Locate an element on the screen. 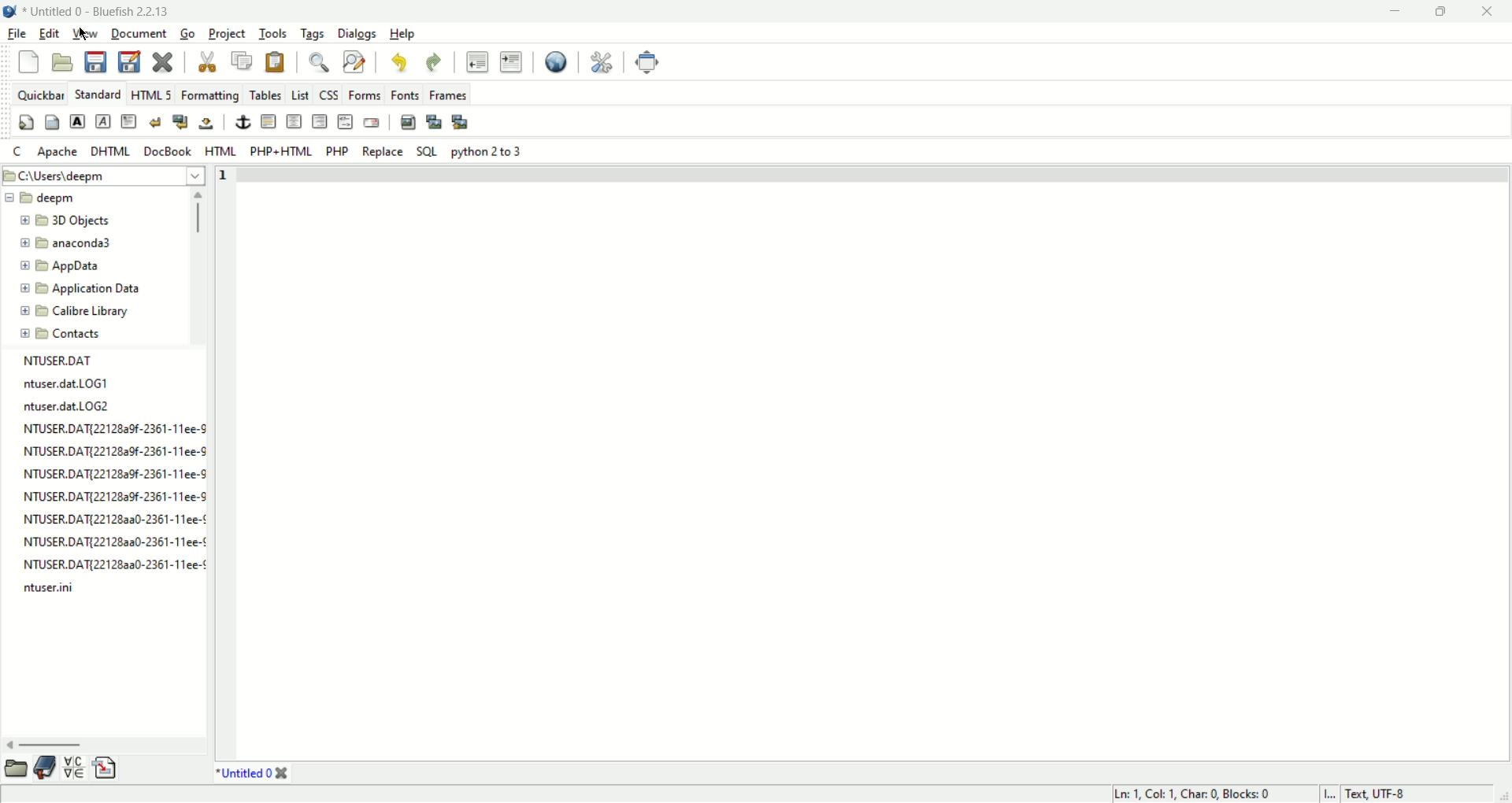  Python 2 to 3 is located at coordinates (485, 153).